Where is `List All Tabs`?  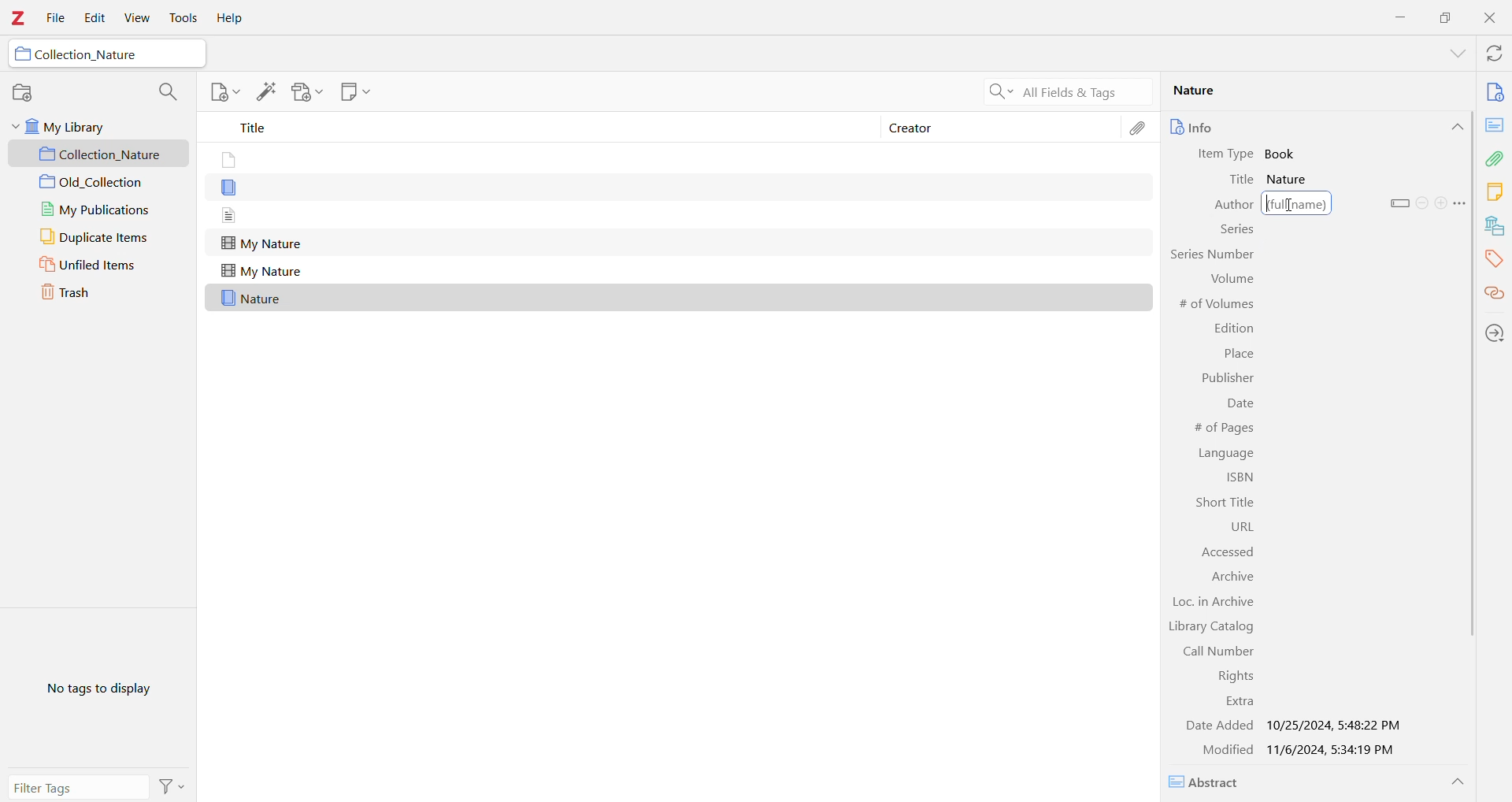 List All Tabs is located at coordinates (1452, 55).